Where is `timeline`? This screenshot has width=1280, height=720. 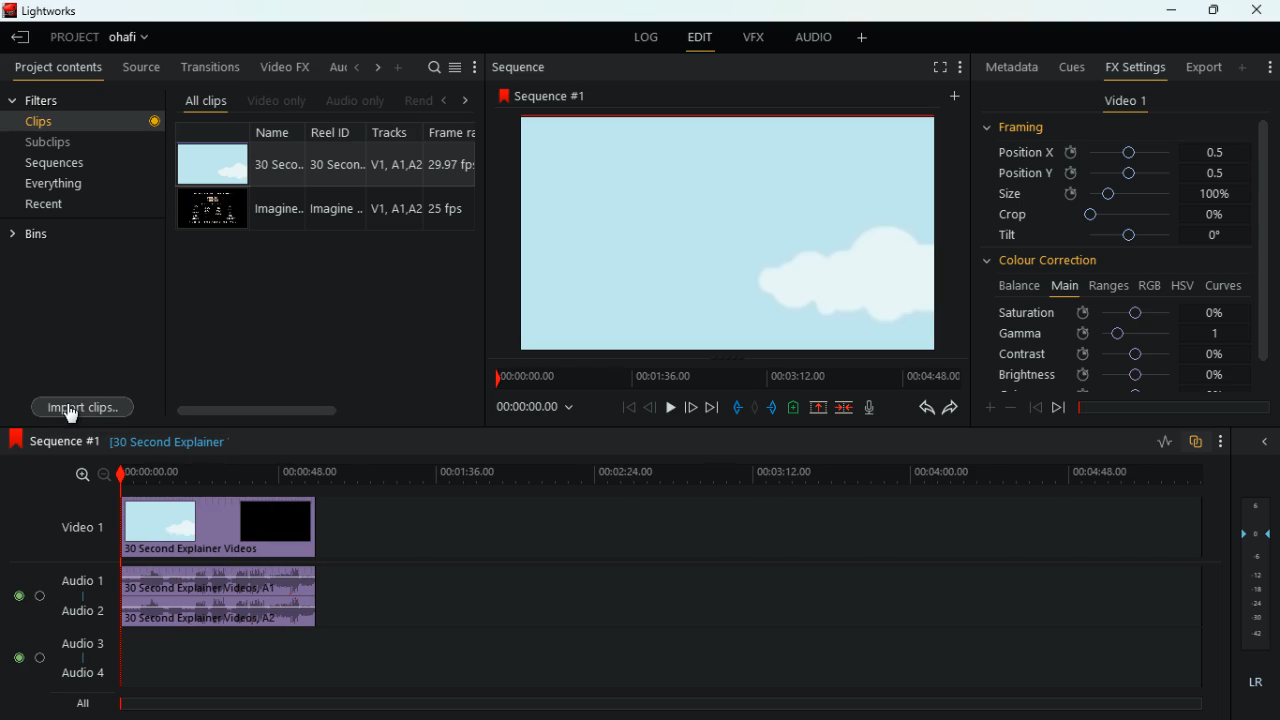
timeline is located at coordinates (725, 377).